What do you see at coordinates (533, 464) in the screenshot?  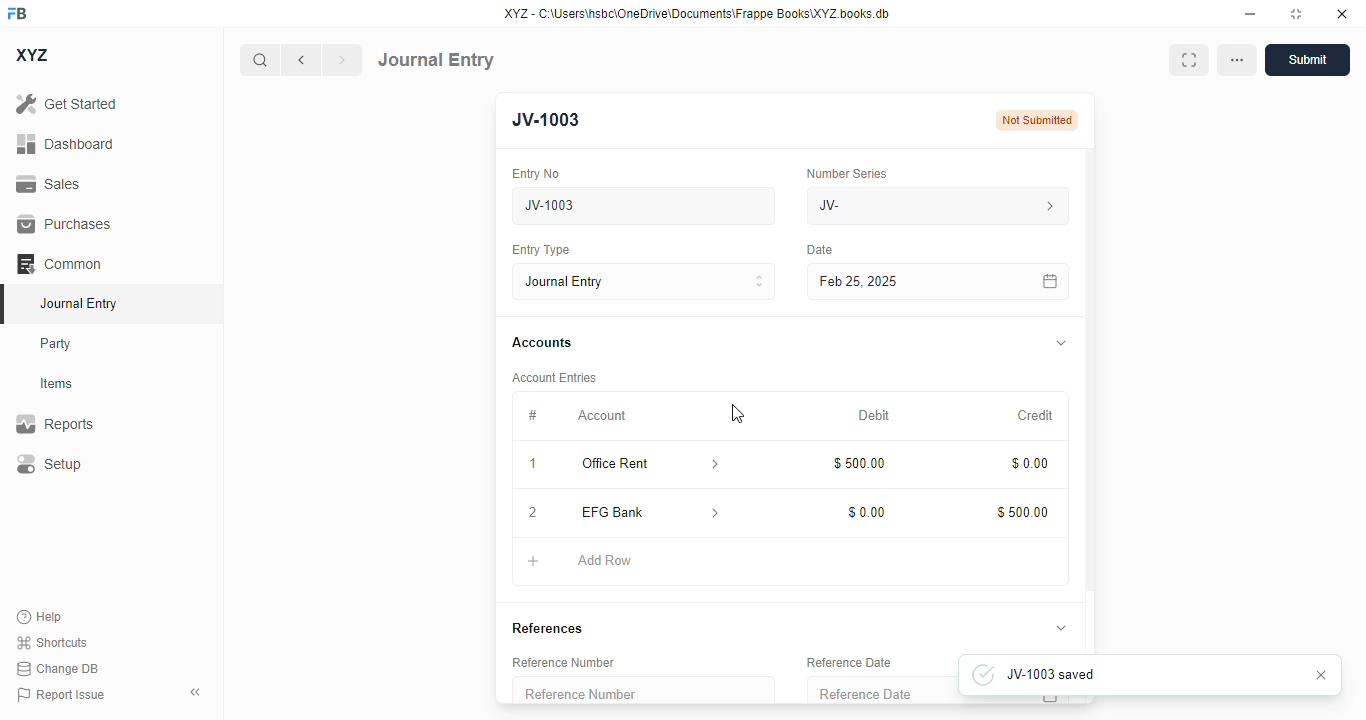 I see `1` at bounding box center [533, 464].